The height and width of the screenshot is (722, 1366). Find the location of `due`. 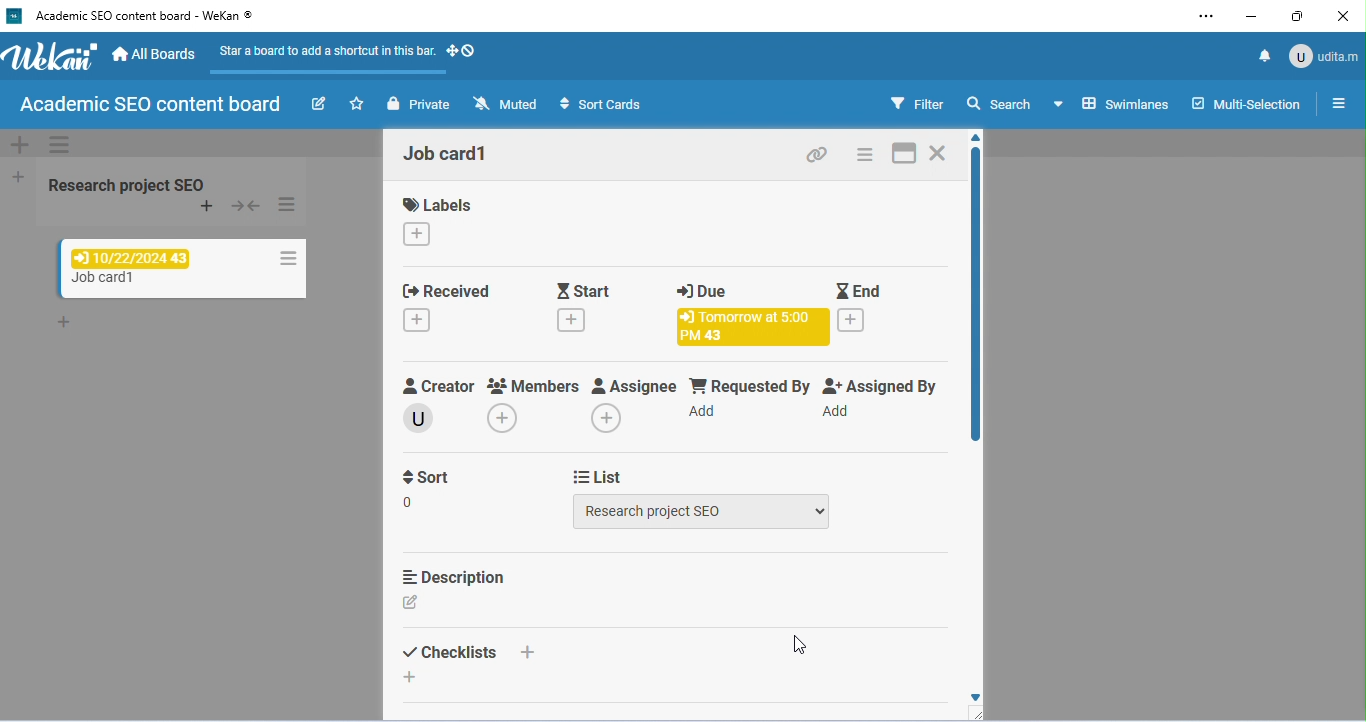

due is located at coordinates (706, 290).